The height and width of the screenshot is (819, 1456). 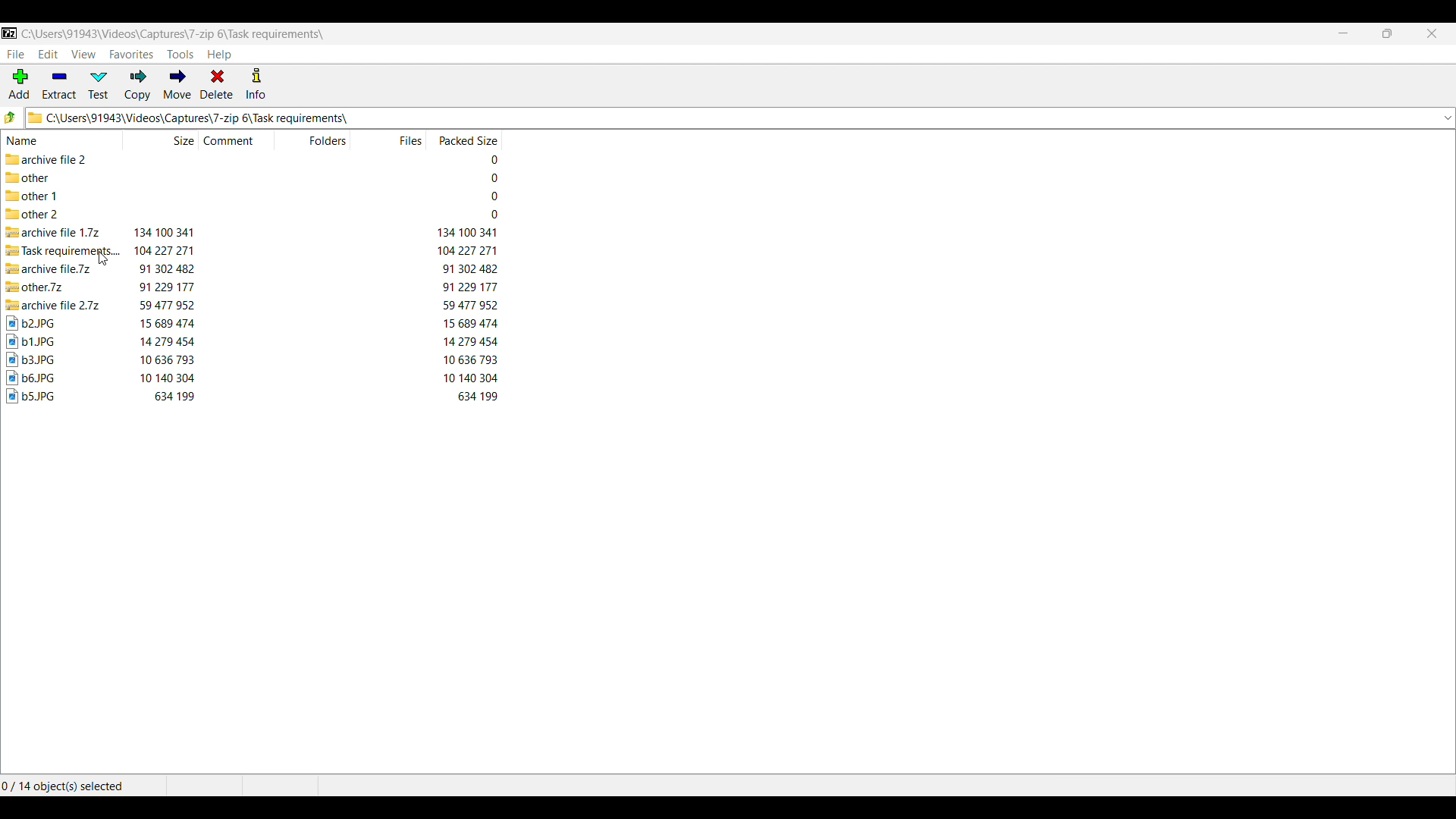 I want to click on size, so click(x=168, y=322).